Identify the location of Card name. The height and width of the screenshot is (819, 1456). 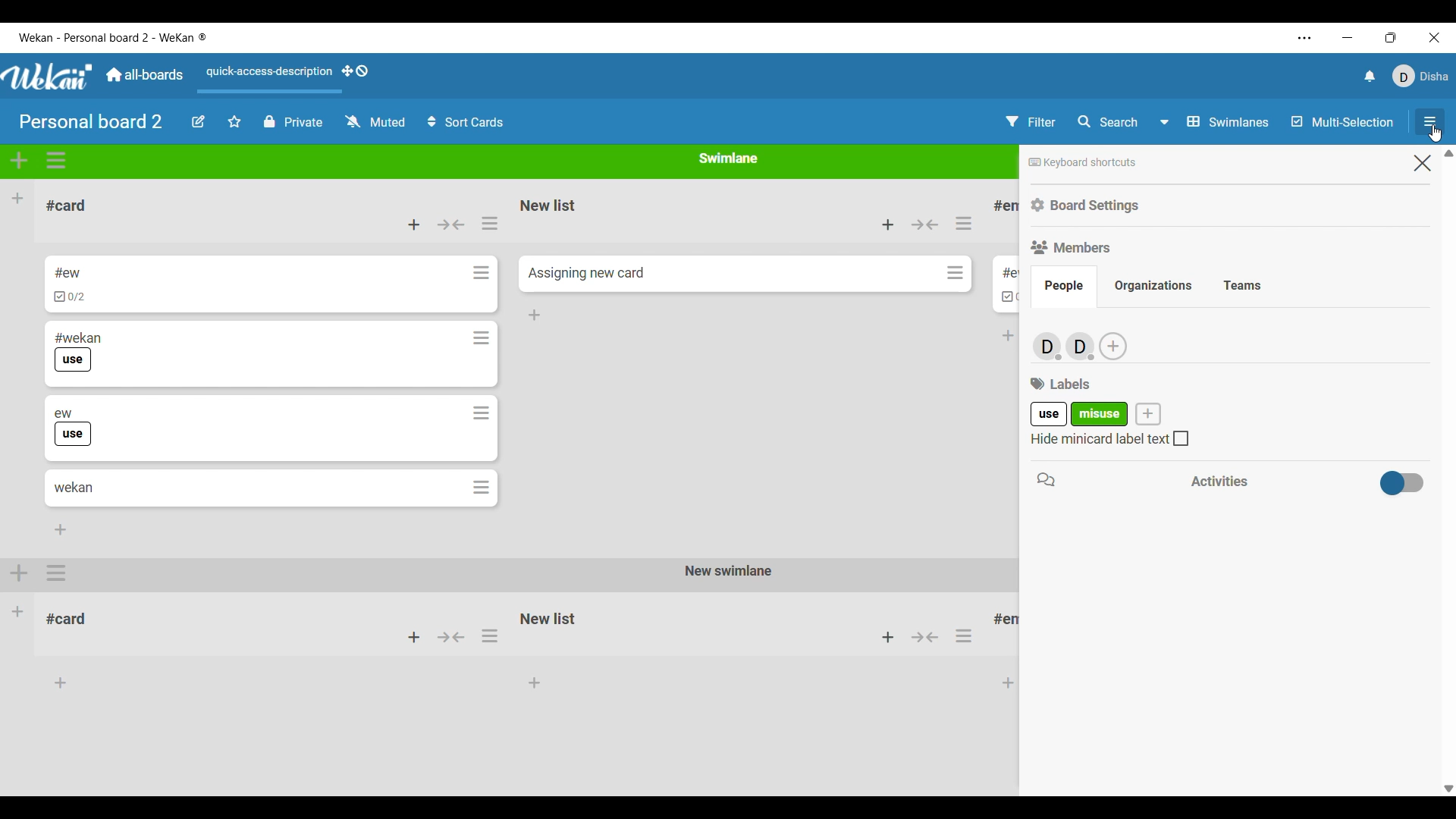
(586, 273).